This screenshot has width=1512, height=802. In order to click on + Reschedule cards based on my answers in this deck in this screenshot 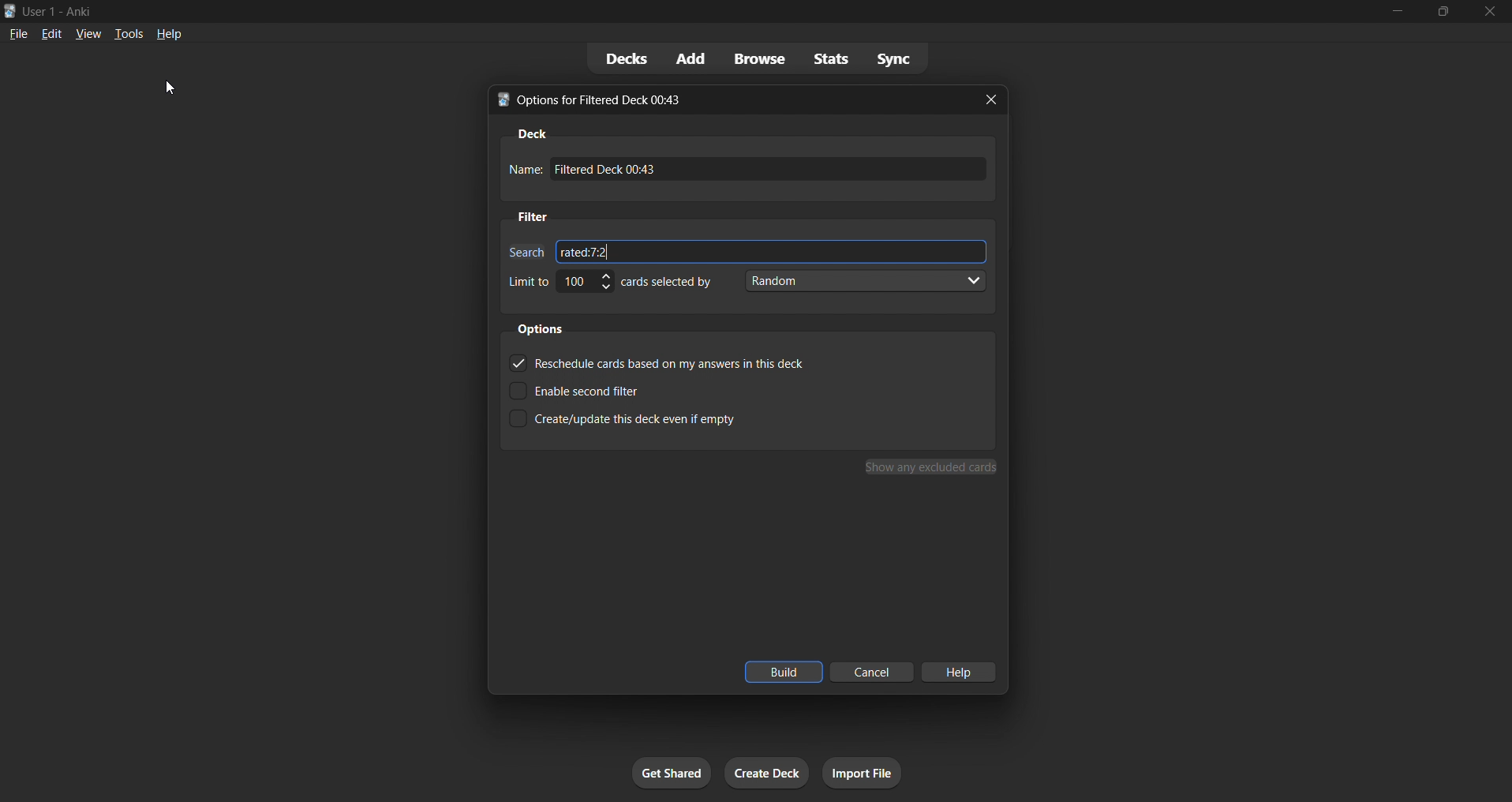, I will do `click(656, 361)`.